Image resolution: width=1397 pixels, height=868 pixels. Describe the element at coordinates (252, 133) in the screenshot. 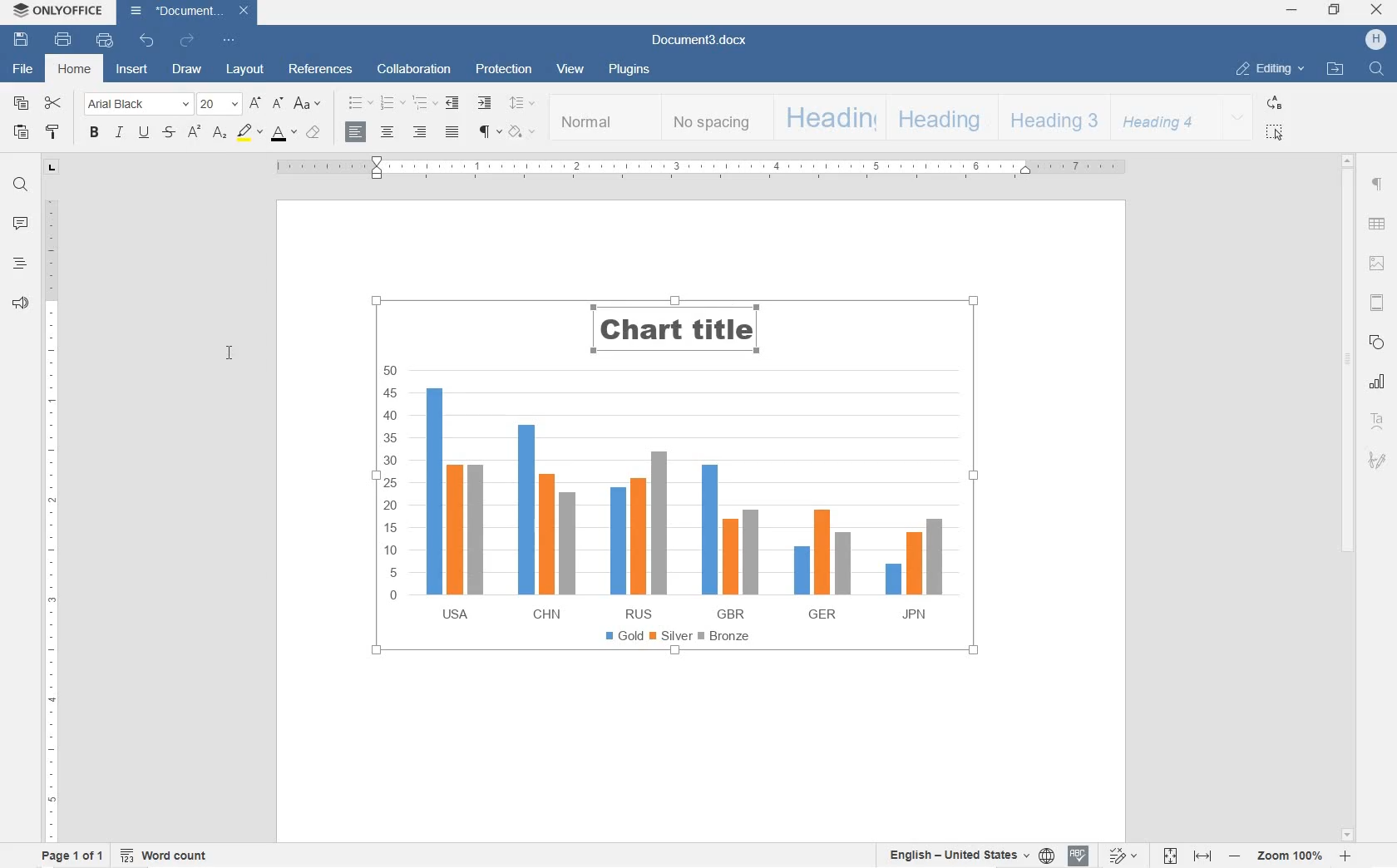

I see `highlight color` at that location.